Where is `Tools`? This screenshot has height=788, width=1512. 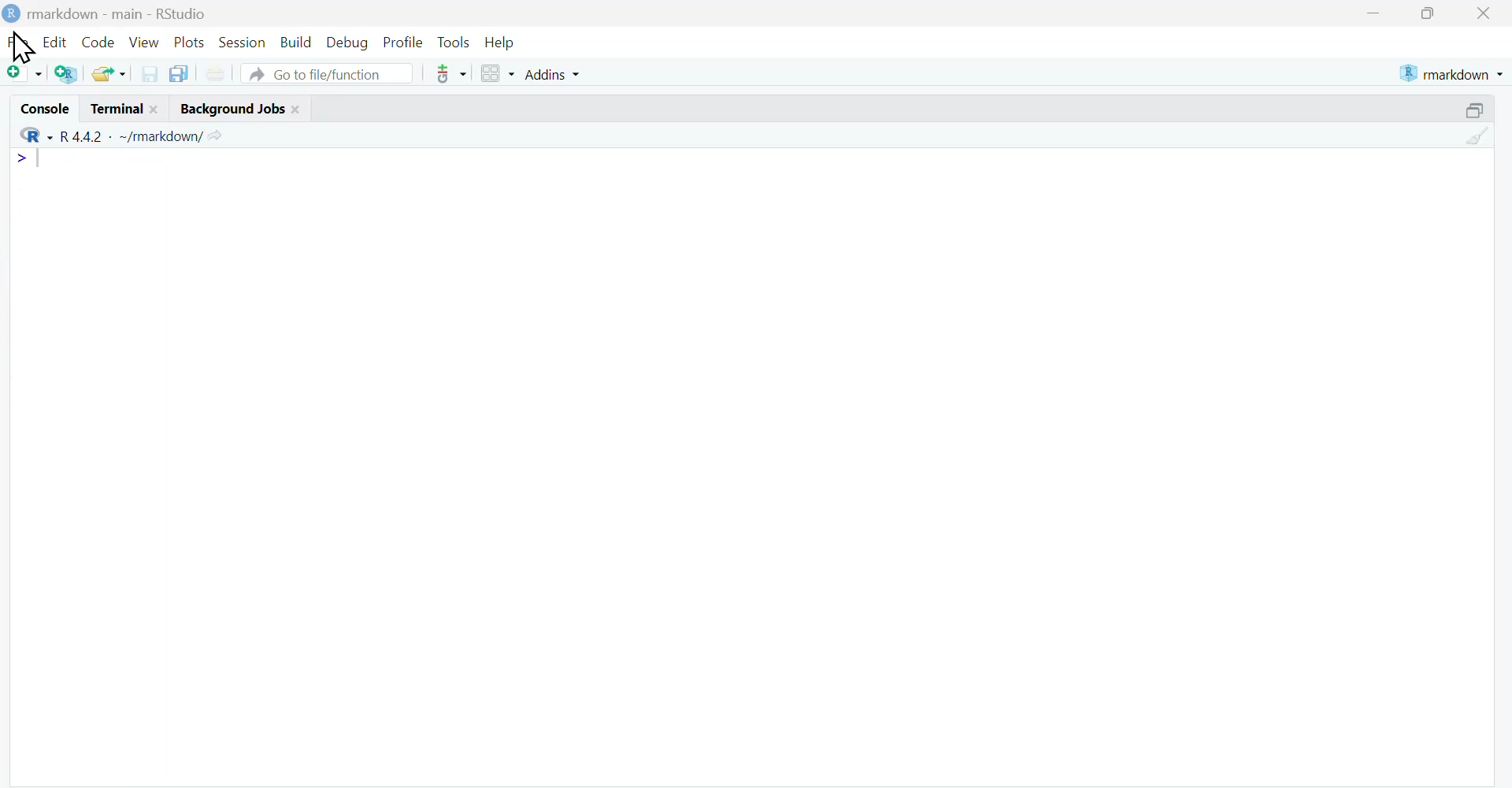 Tools is located at coordinates (454, 43).